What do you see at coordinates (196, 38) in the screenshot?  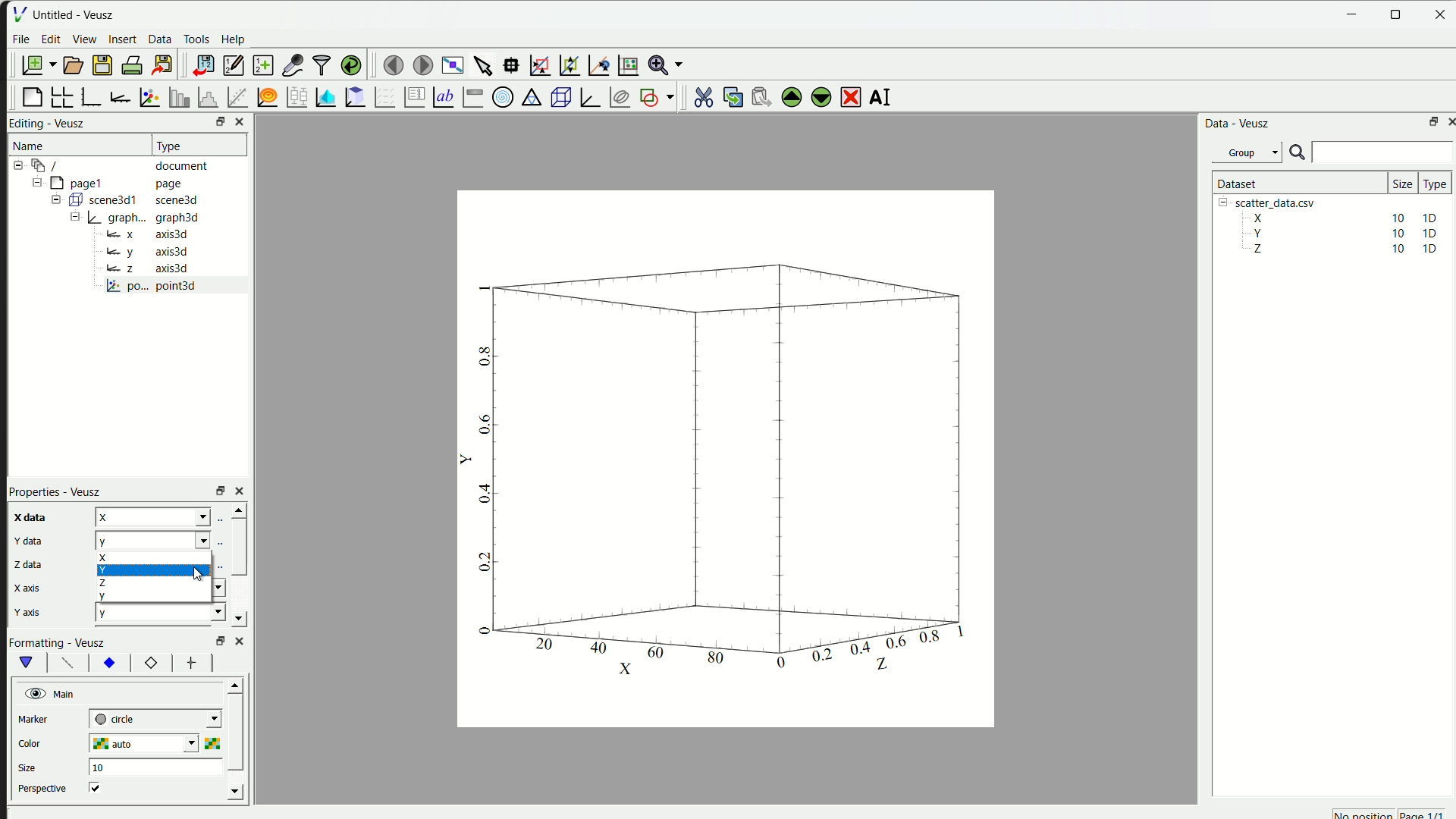 I see `Tools` at bounding box center [196, 38].